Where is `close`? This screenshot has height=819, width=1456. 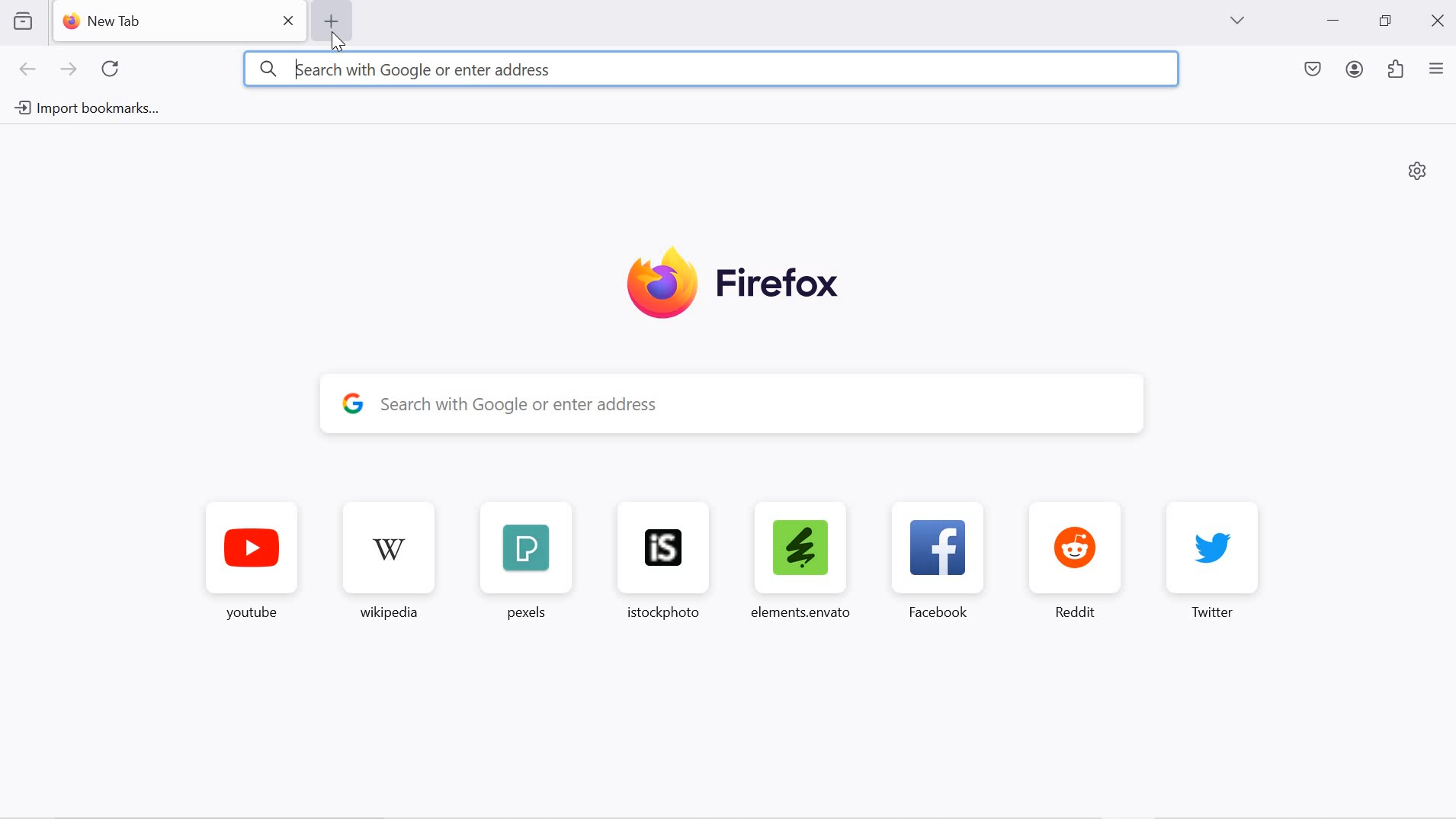
close is located at coordinates (1440, 19).